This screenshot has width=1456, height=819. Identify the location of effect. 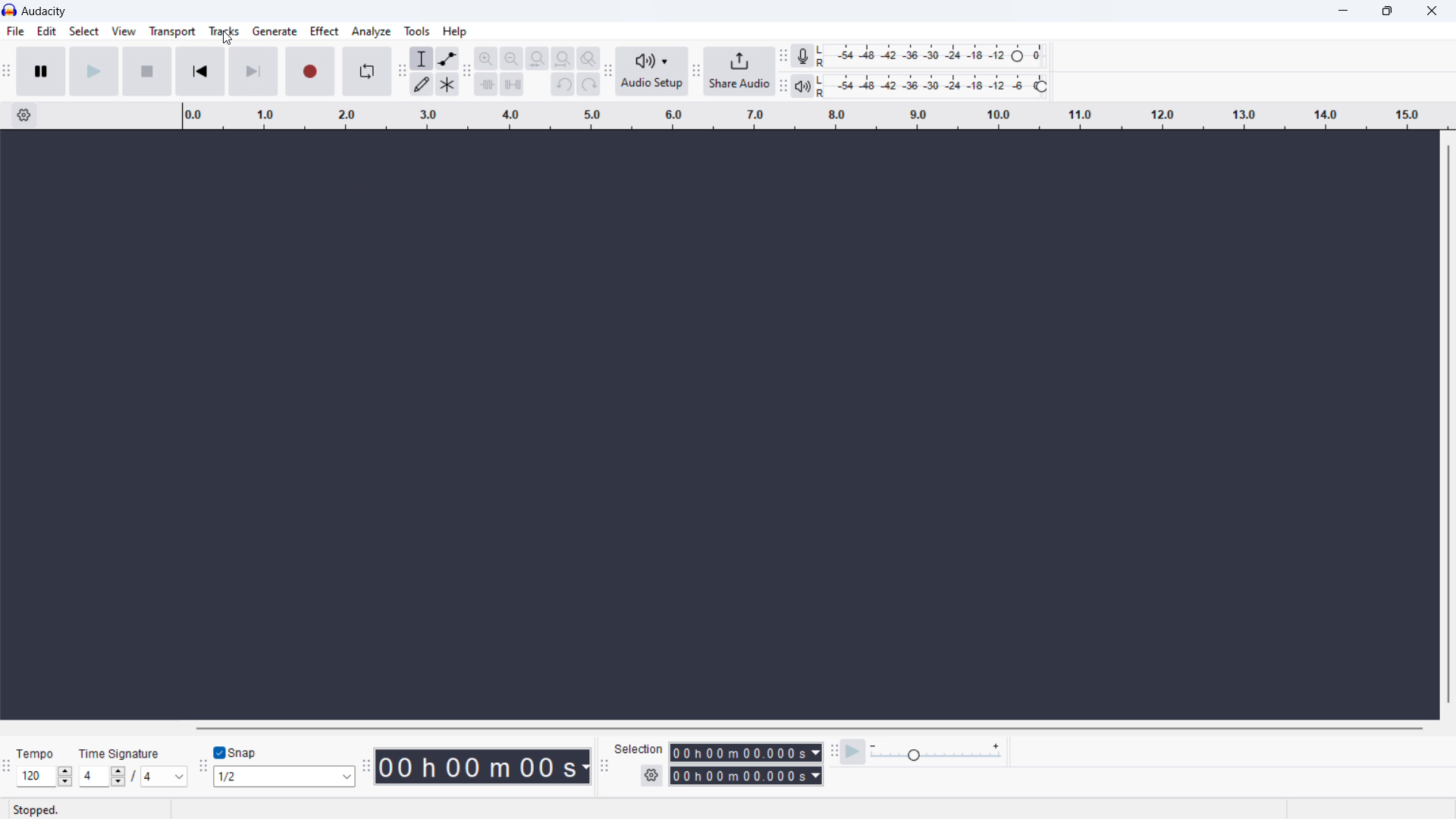
(324, 31).